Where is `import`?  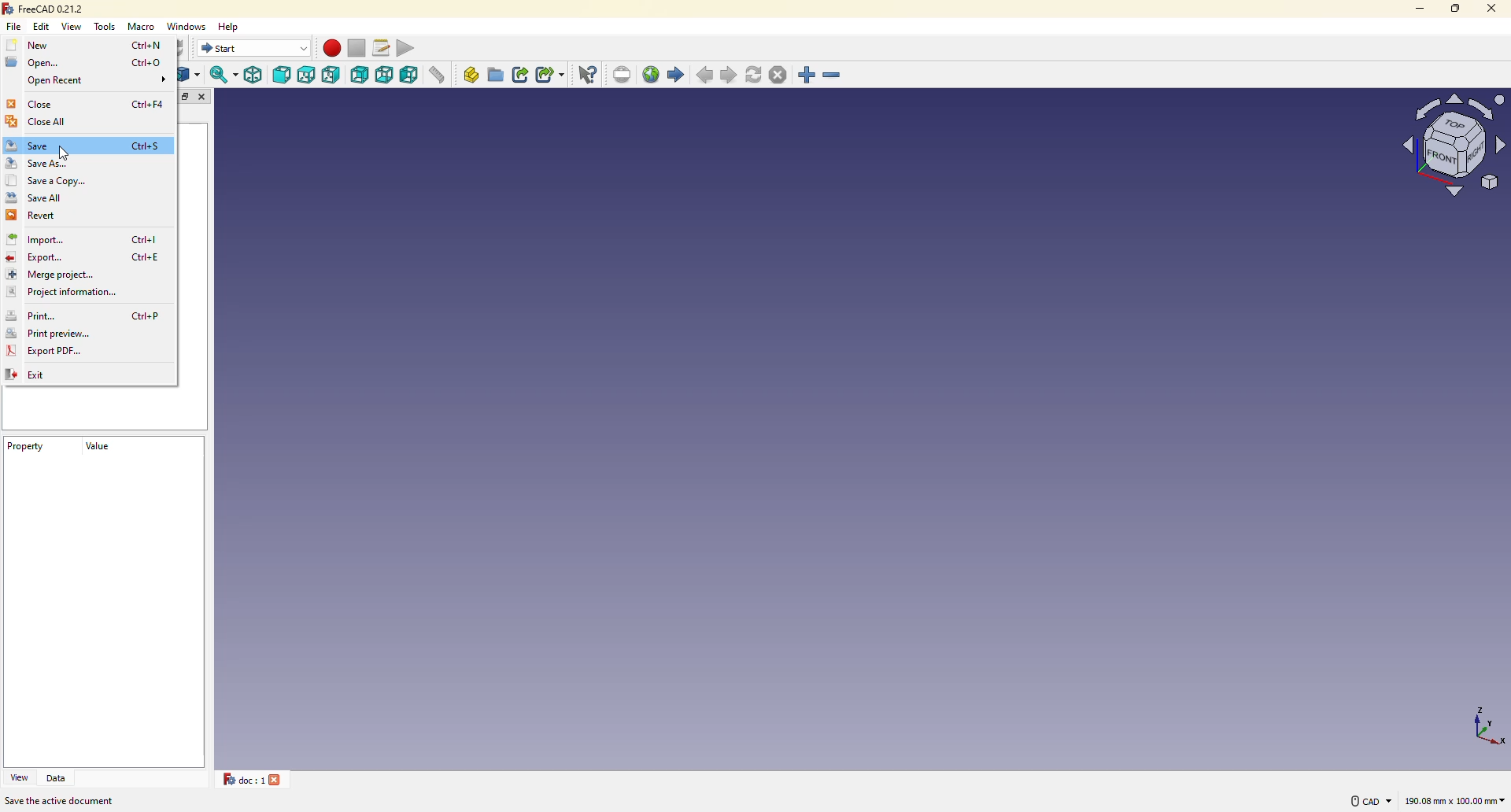 import is located at coordinates (39, 240).